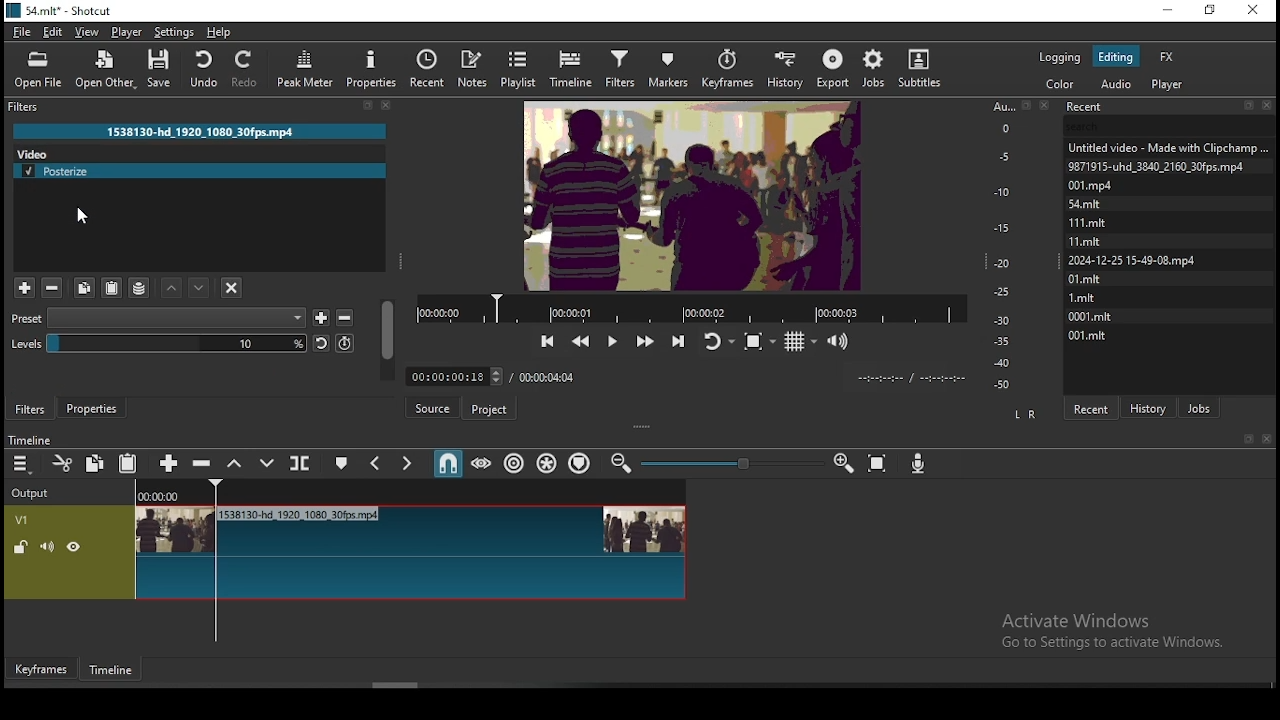 The image size is (1280, 720). Describe the element at coordinates (1211, 11) in the screenshot. I see `restore` at that location.